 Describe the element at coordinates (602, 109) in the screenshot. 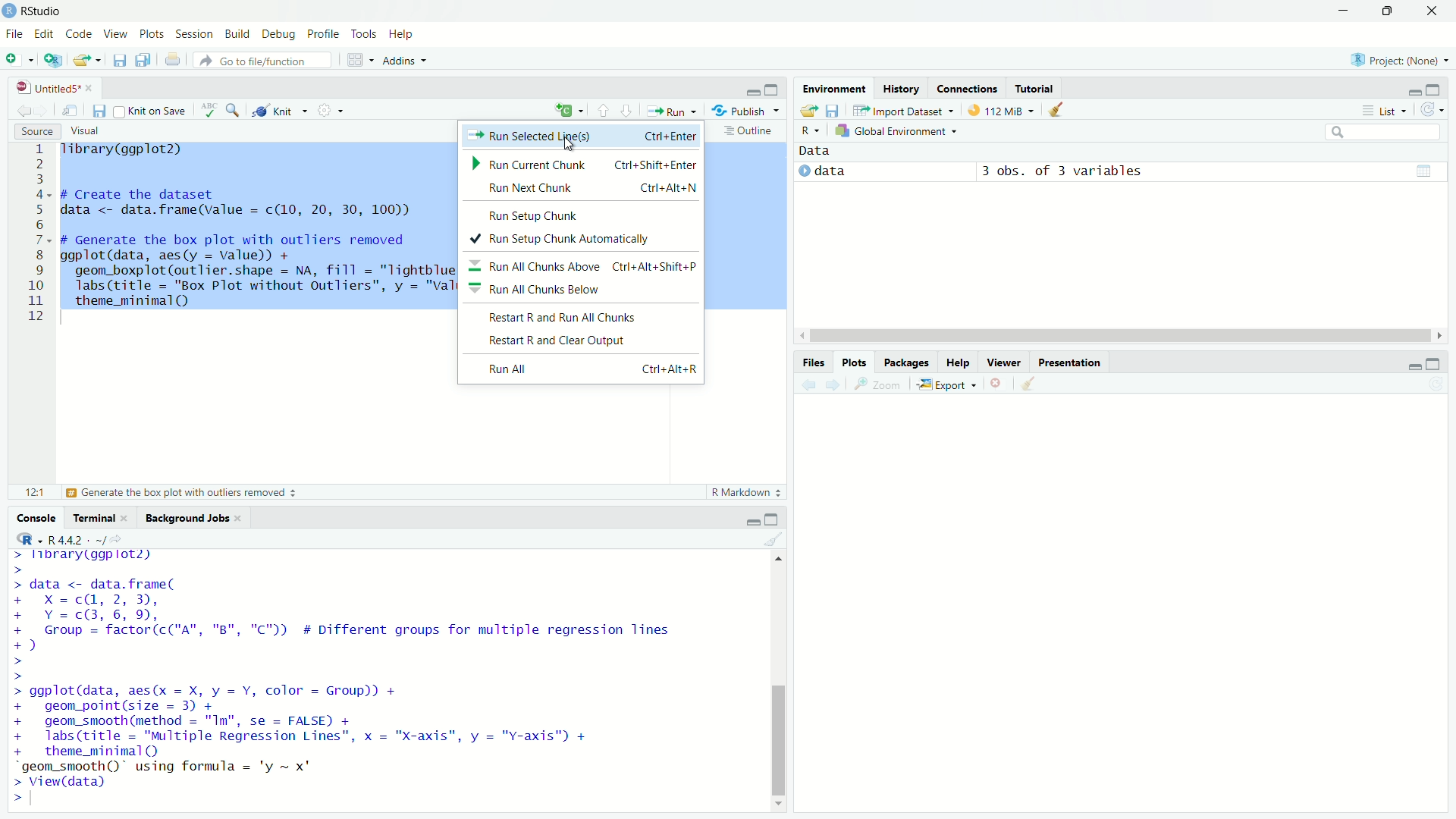

I see `upward` at that location.